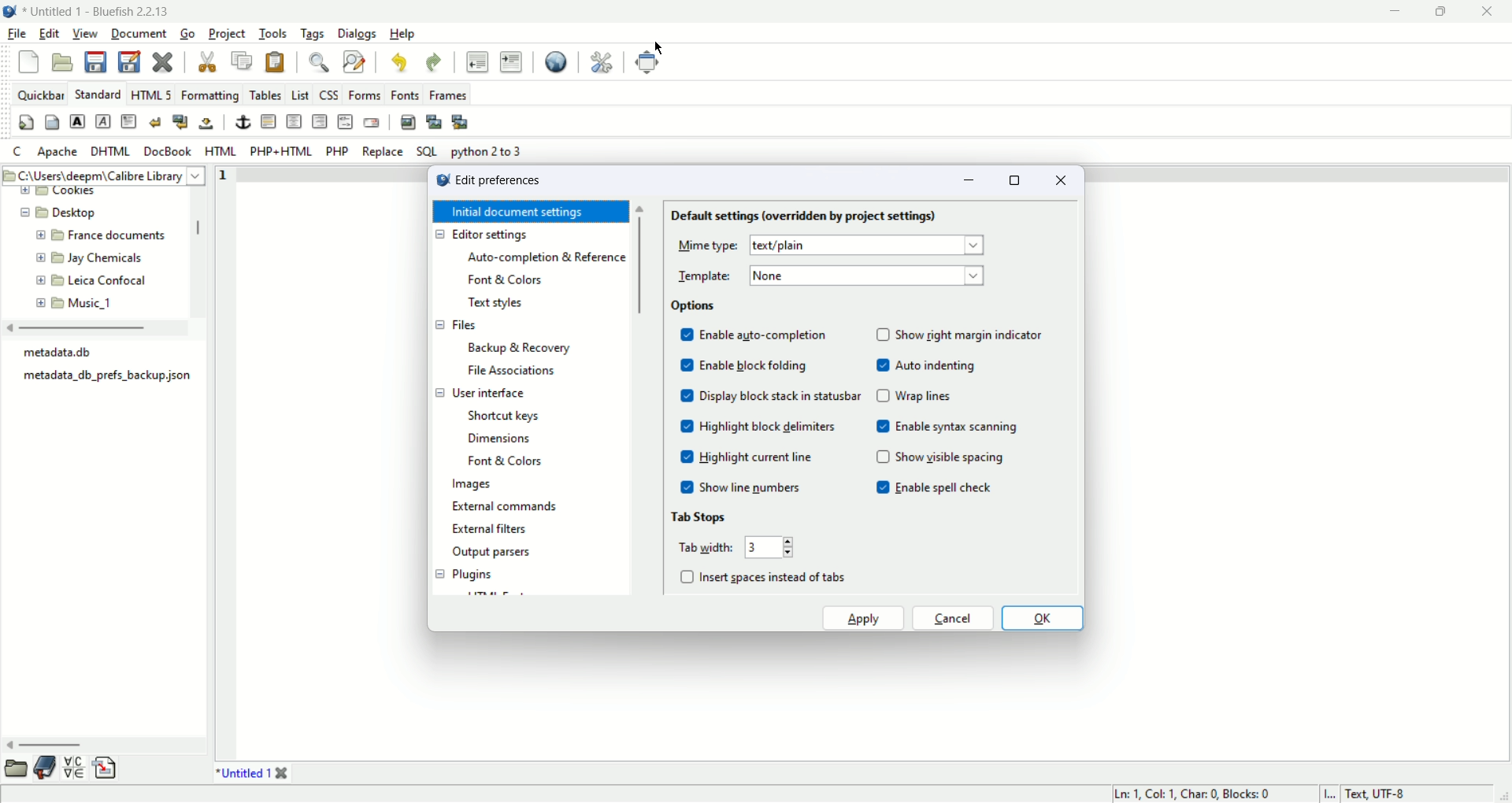 The width and height of the screenshot is (1512, 803). I want to click on None, so click(867, 275).